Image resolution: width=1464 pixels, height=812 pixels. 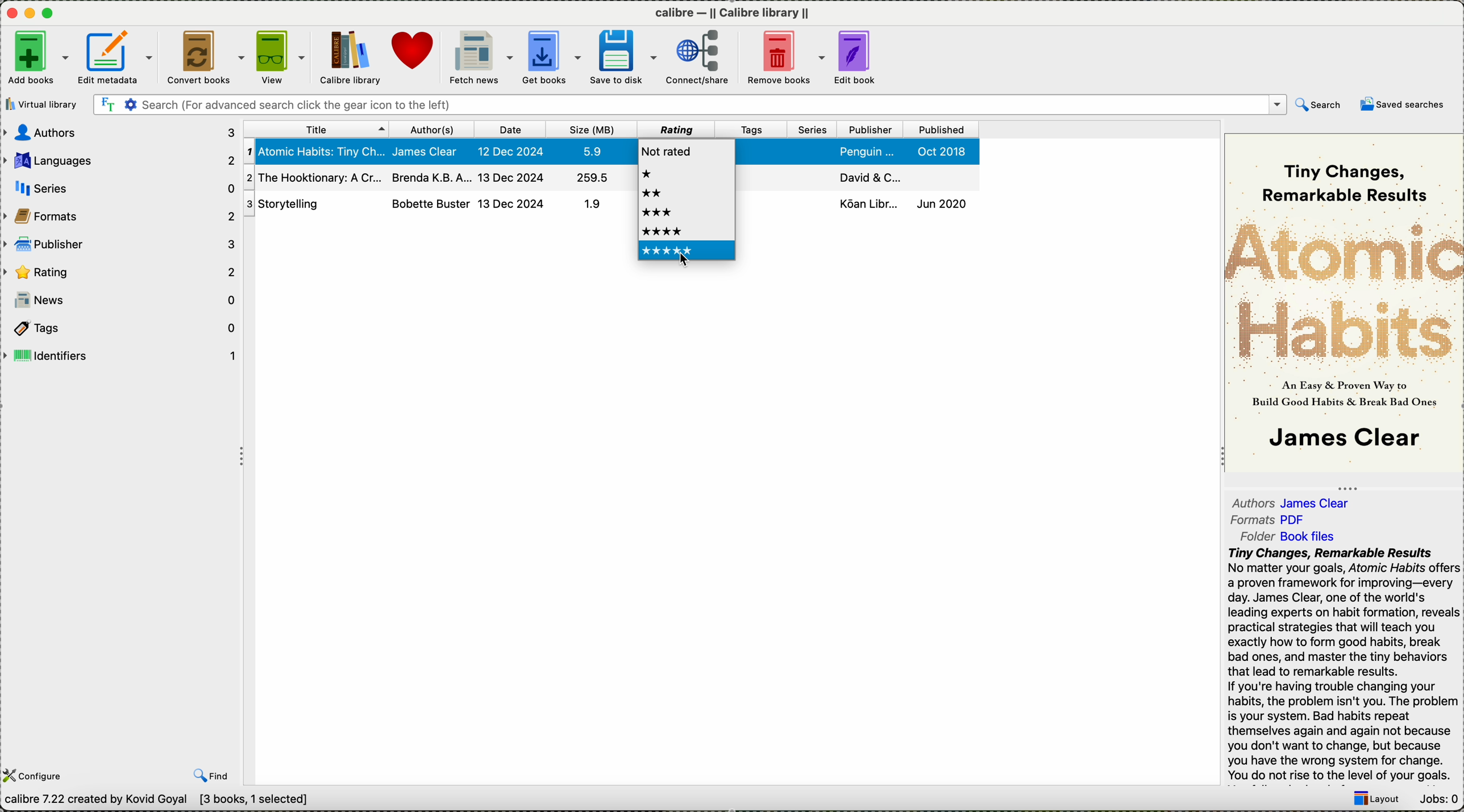 What do you see at coordinates (662, 231) in the screenshot?
I see `four stars` at bounding box center [662, 231].